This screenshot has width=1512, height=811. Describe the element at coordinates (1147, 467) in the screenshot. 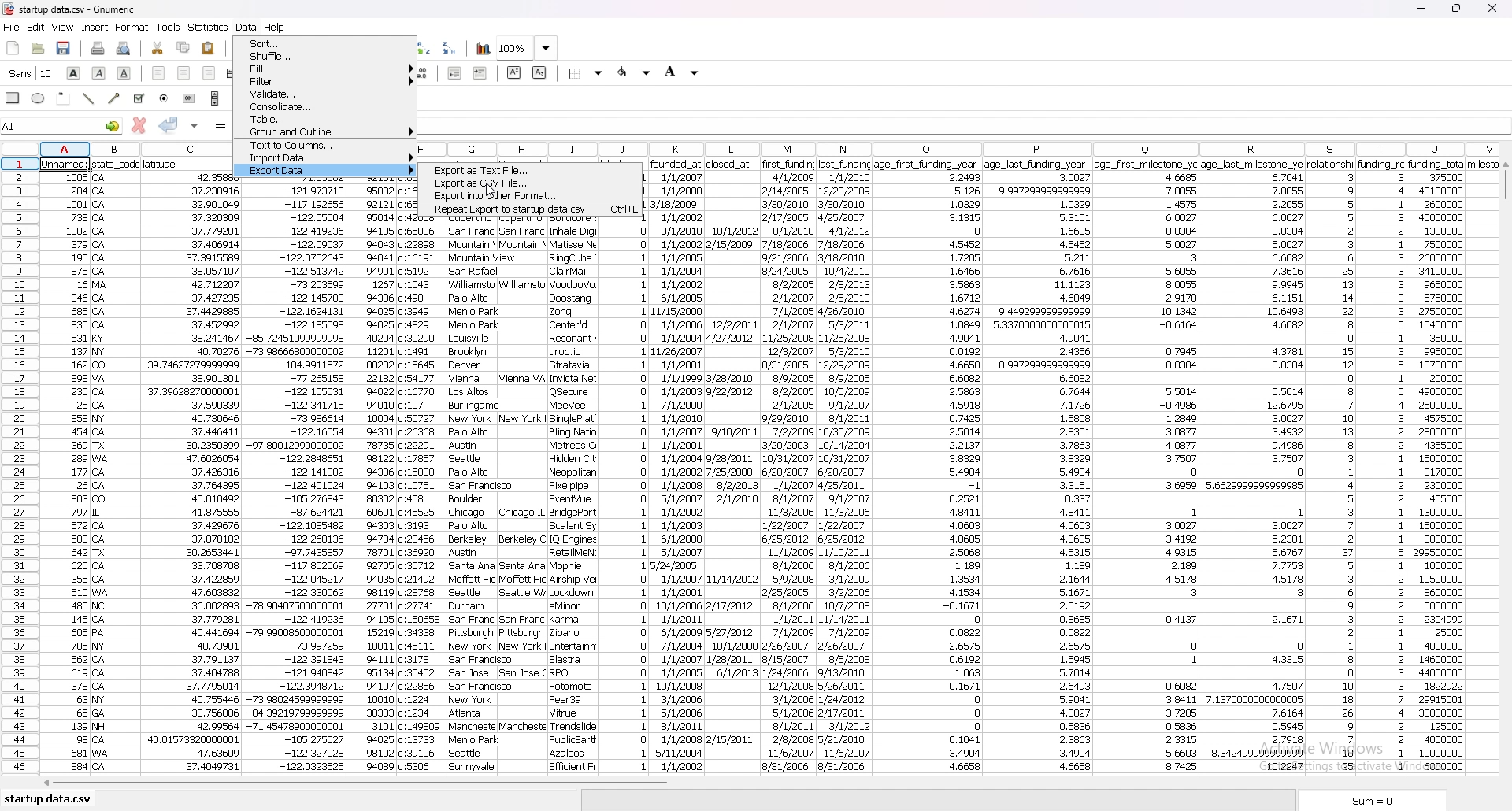

I see `daat` at that location.